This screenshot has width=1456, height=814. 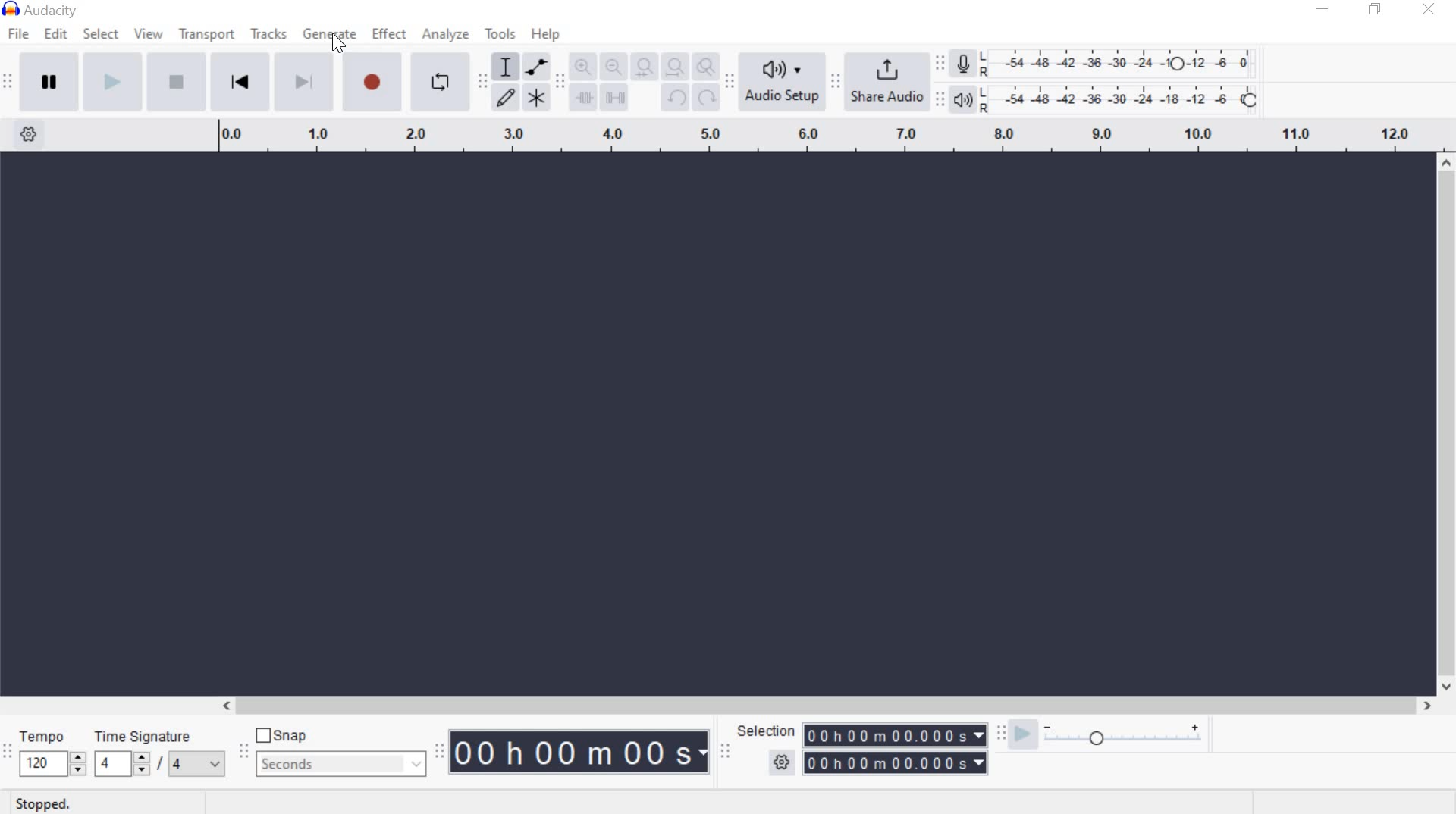 I want to click on generate, so click(x=328, y=33).